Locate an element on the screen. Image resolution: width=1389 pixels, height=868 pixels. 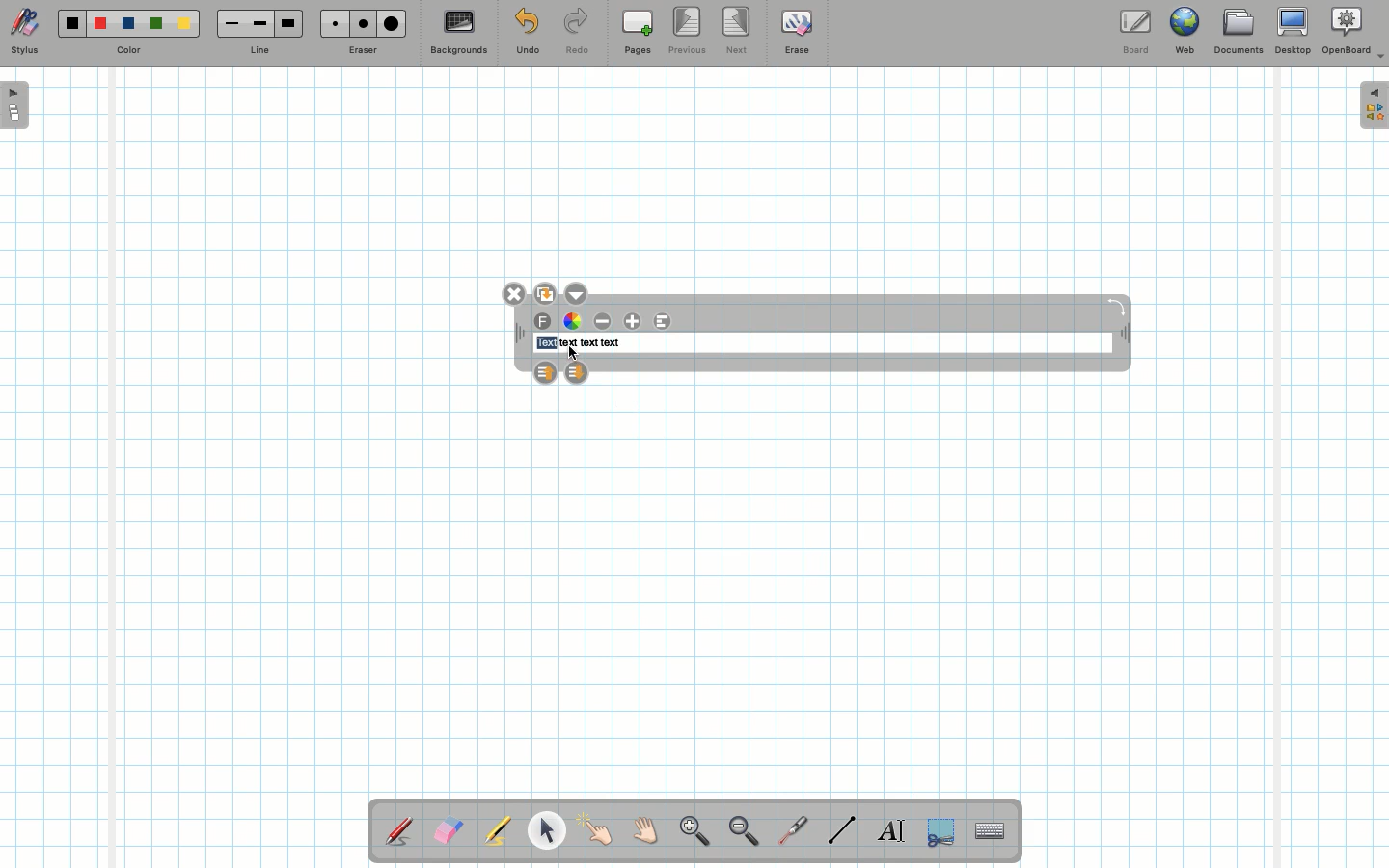
Move is located at coordinates (1123, 336).